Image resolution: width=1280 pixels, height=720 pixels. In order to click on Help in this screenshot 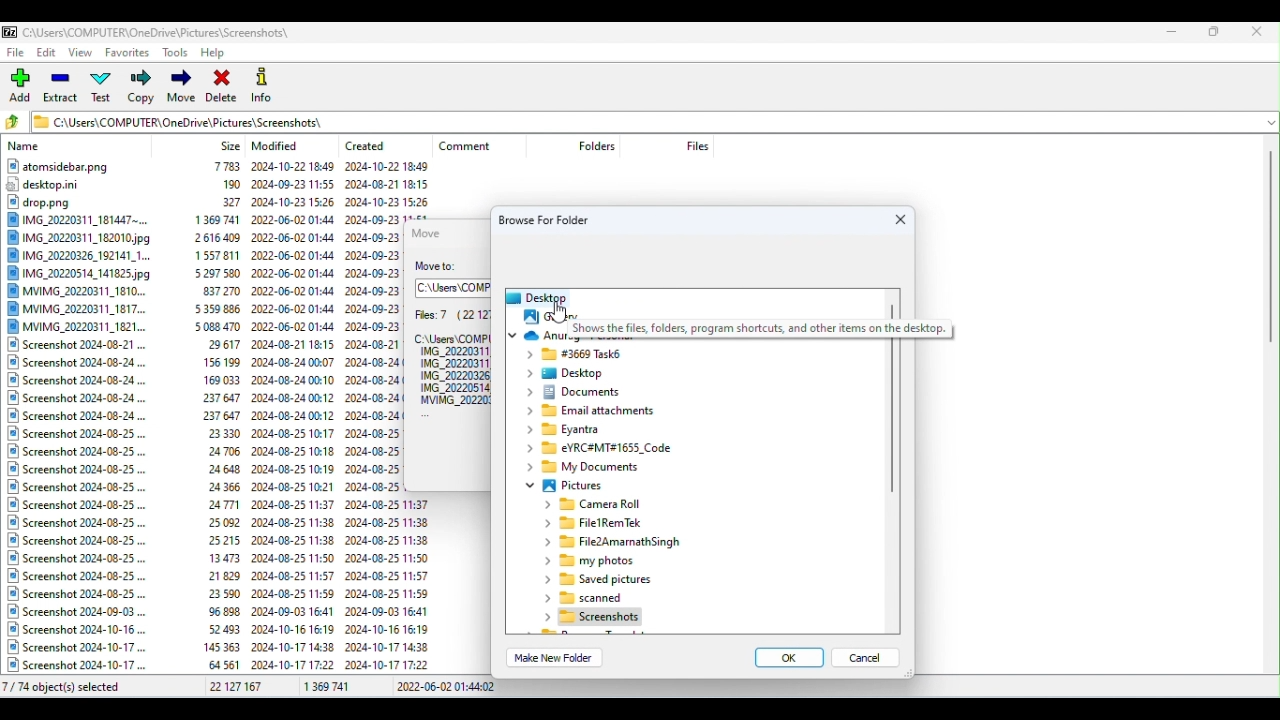, I will do `click(218, 51)`.